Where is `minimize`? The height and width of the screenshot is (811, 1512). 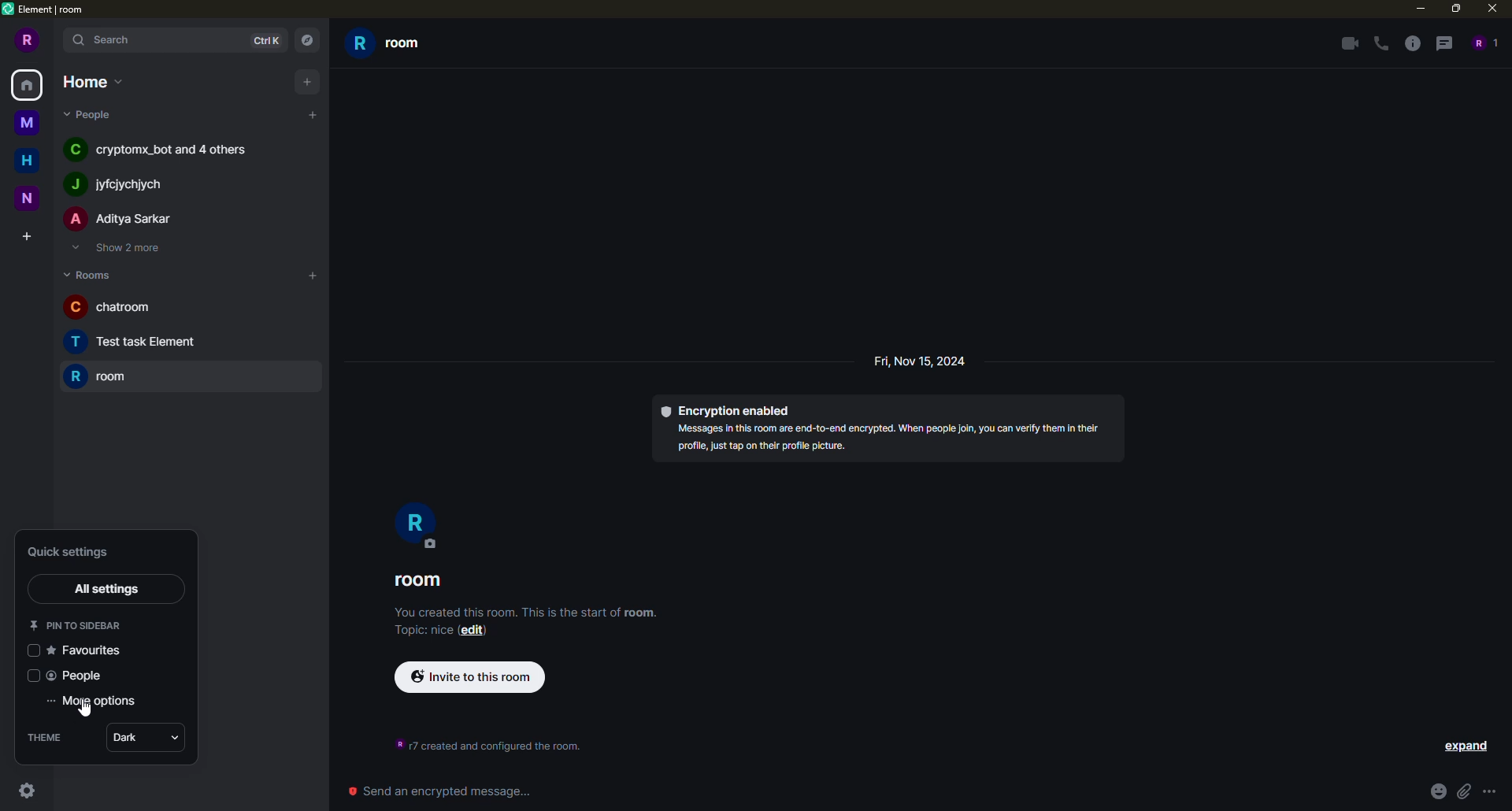 minimize is located at coordinates (1416, 9).